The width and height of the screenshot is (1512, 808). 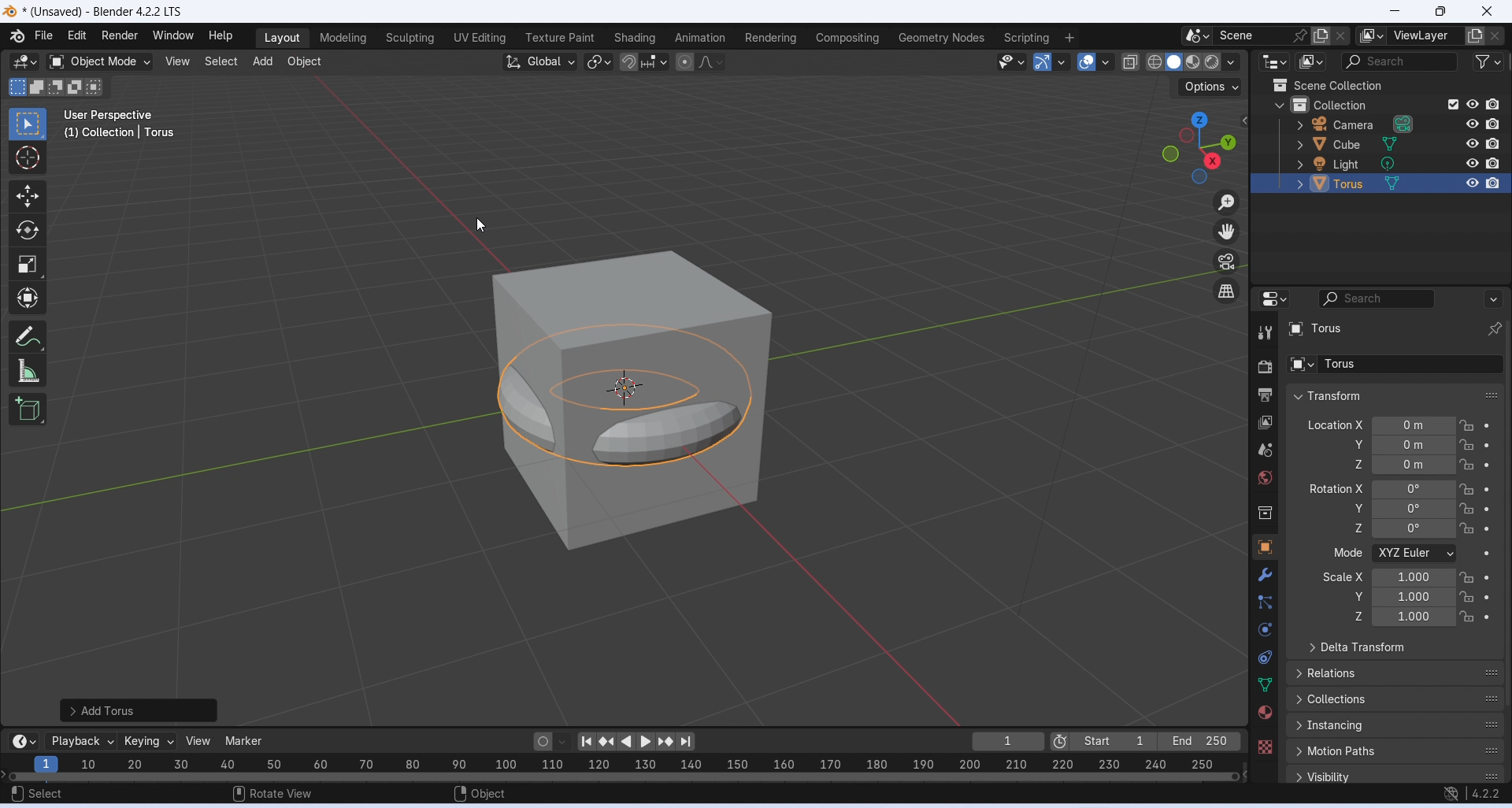 I want to click on Collection layer, so click(x=1388, y=104).